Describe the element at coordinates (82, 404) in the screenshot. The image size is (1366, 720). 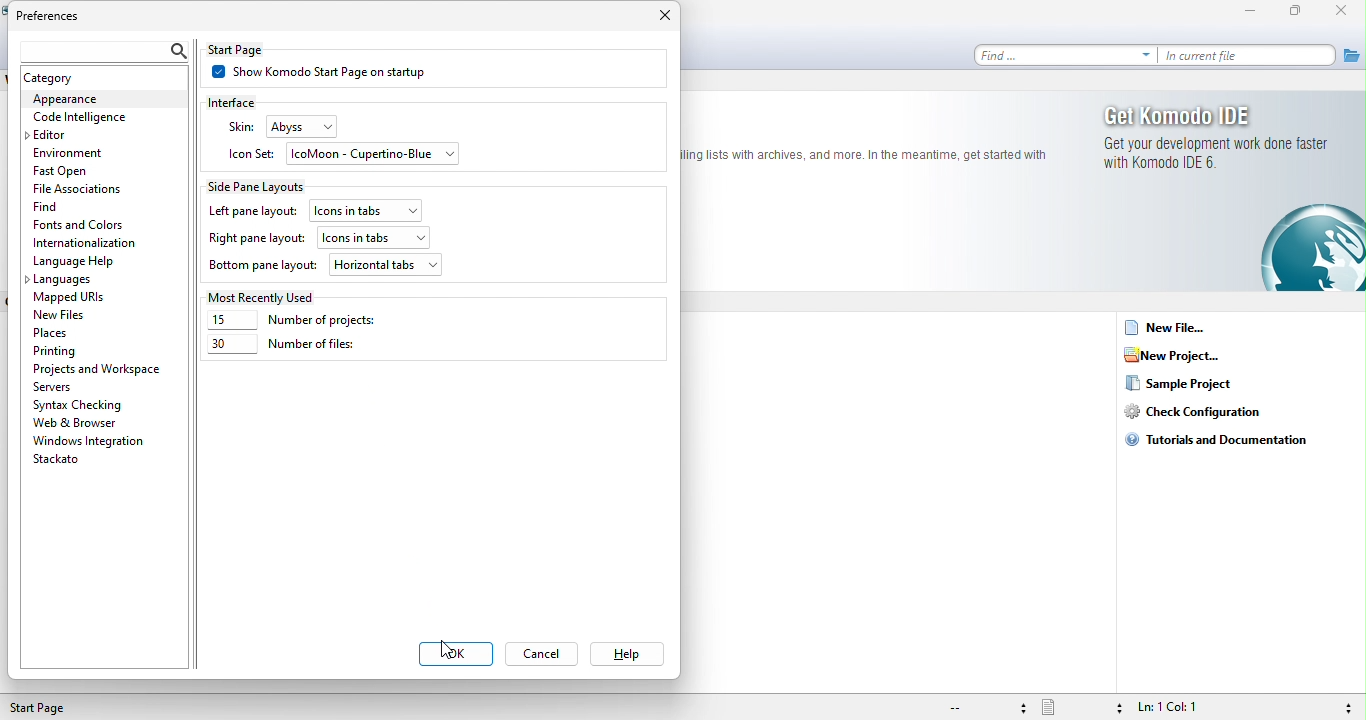
I see `syntax checking` at that location.